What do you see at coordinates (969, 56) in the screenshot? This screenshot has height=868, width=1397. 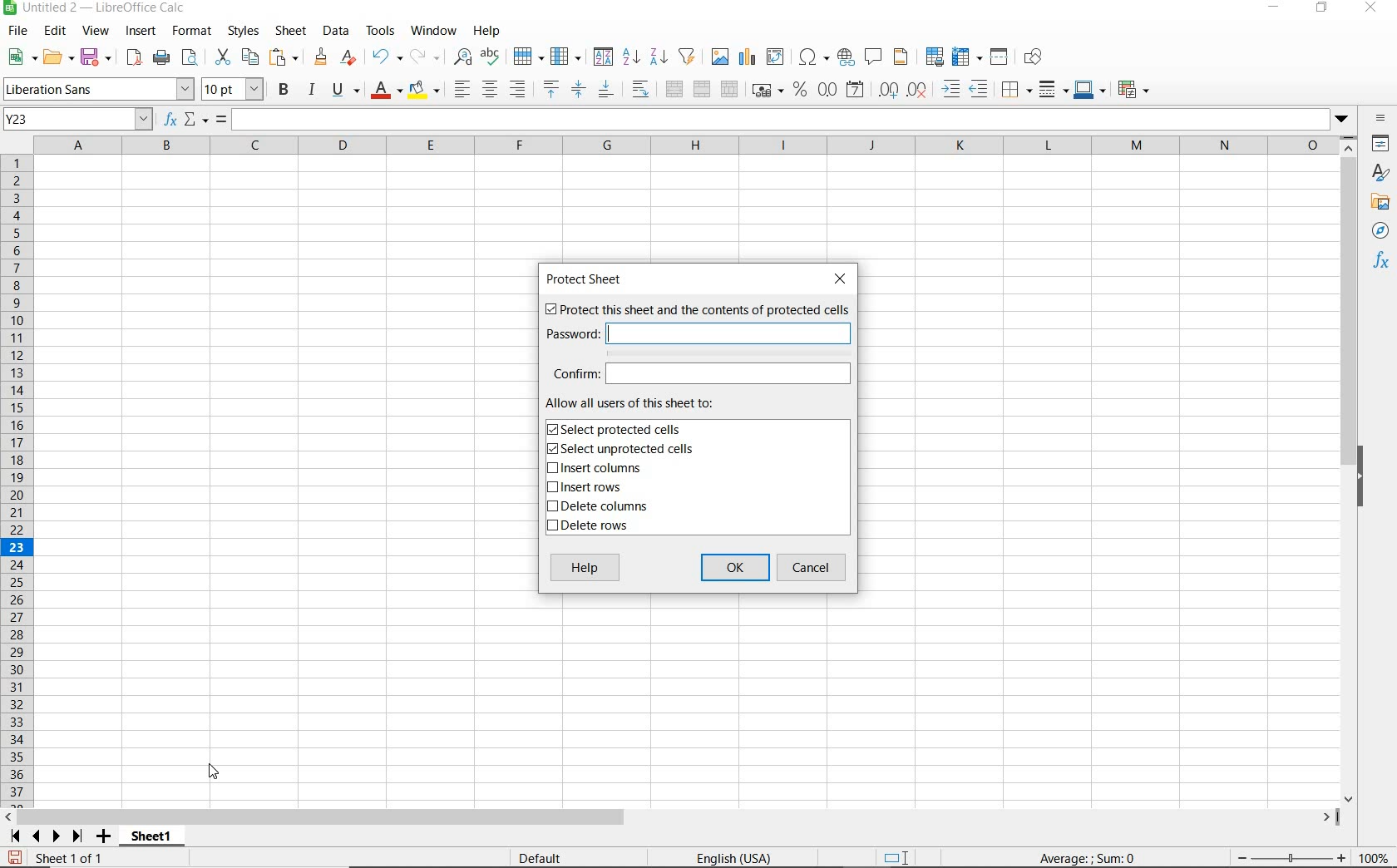 I see `FREEZE ROWS AND COLUMNS` at bounding box center [969, 56].